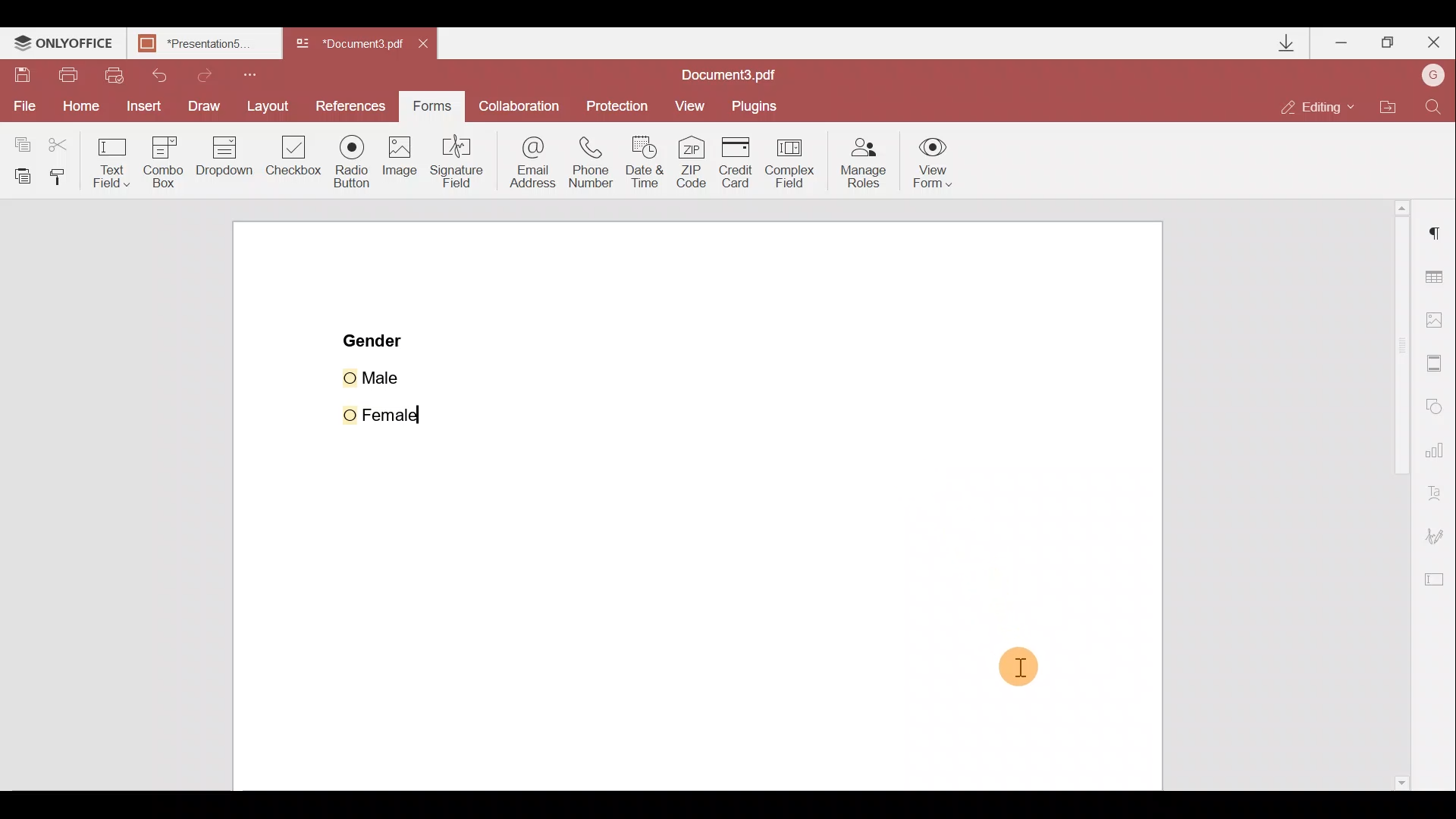 This screenshot has height=819, width=1456. Describe the element at coordinates (167, 74) in the screenshot. I see `Undo` at that location.